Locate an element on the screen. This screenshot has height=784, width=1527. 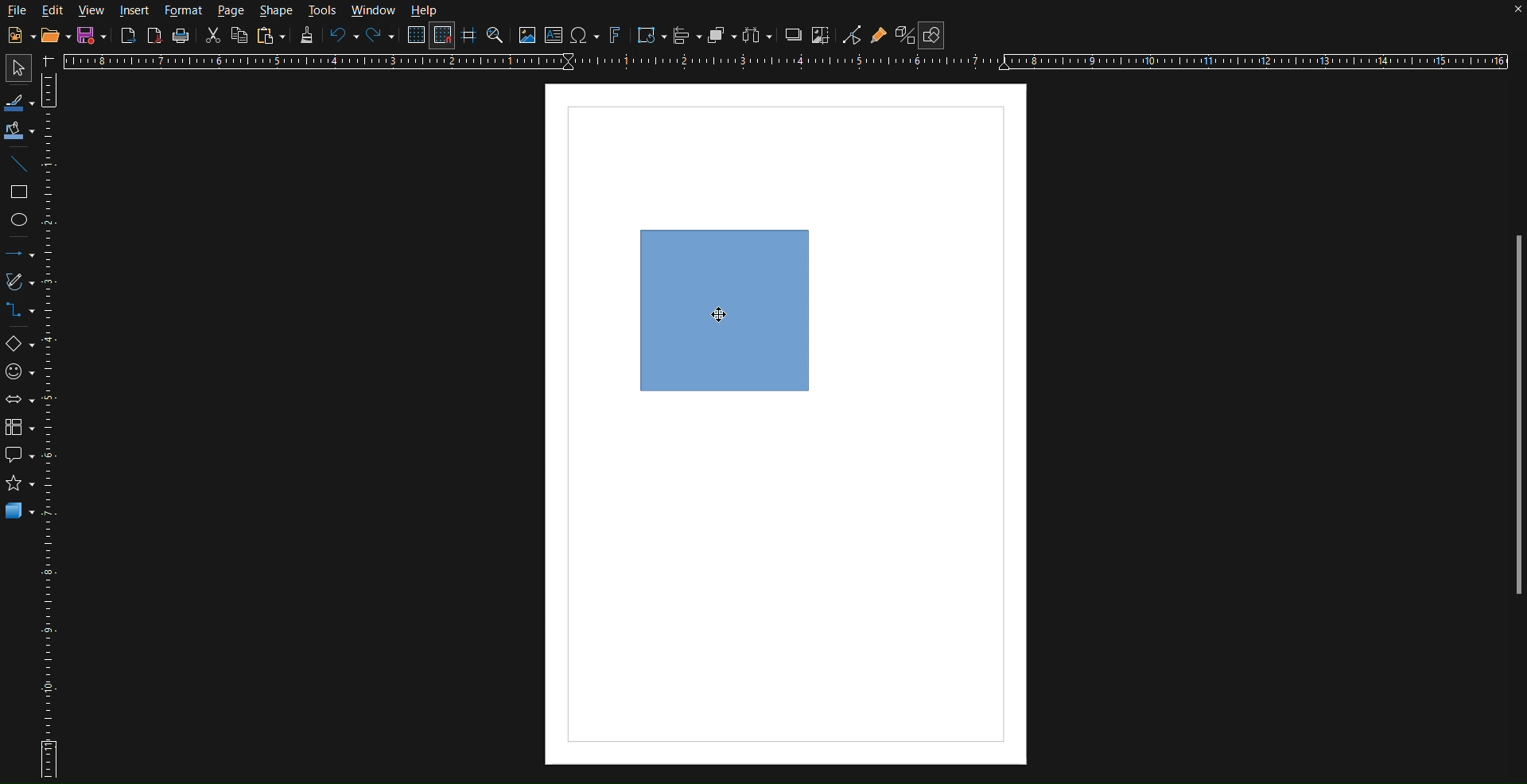
Fill Color is located at coordinates (19, 130).